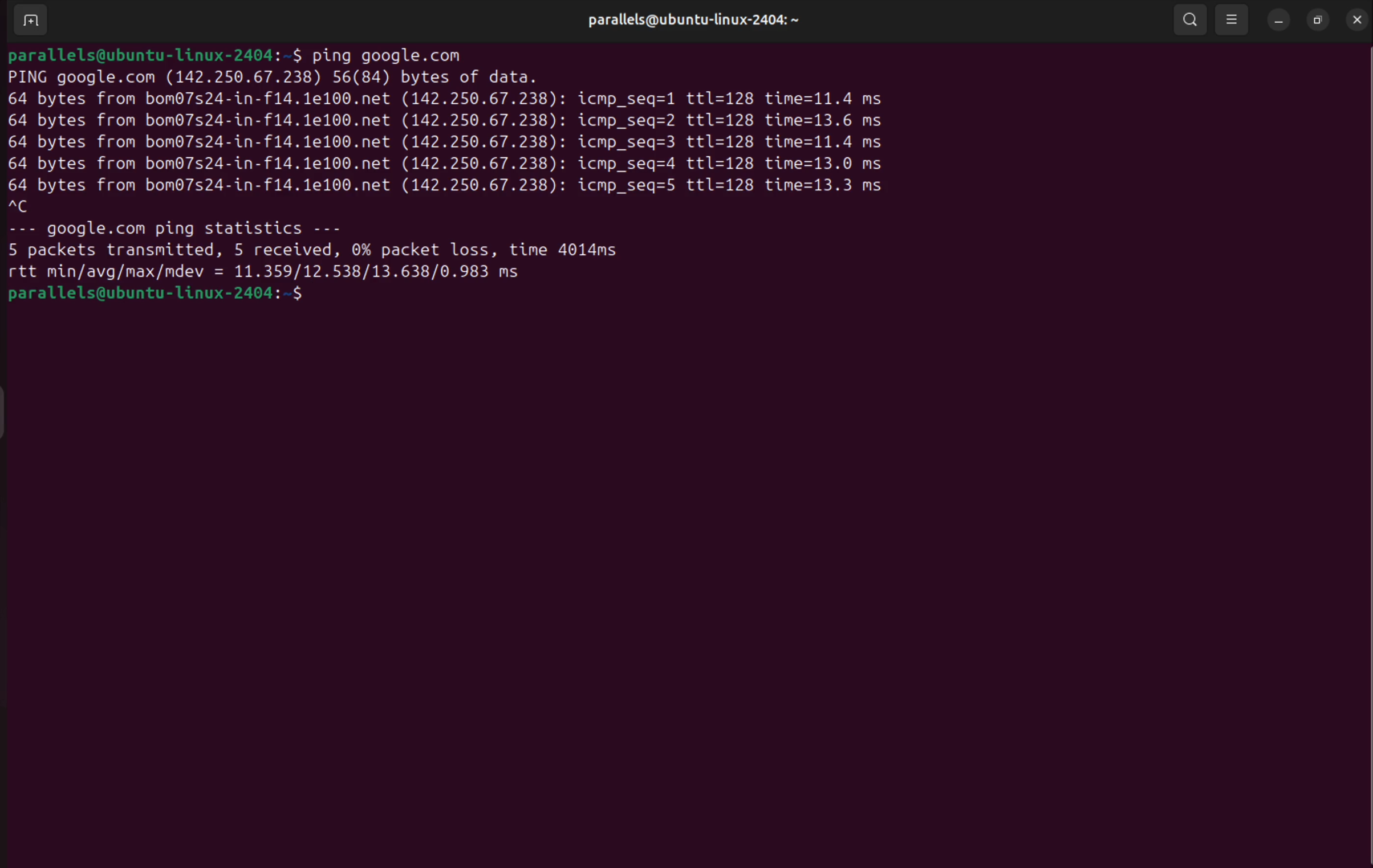 This screenshot has width=1373, height=868. I want to click on time 1.4 ms, so click(824, 144).